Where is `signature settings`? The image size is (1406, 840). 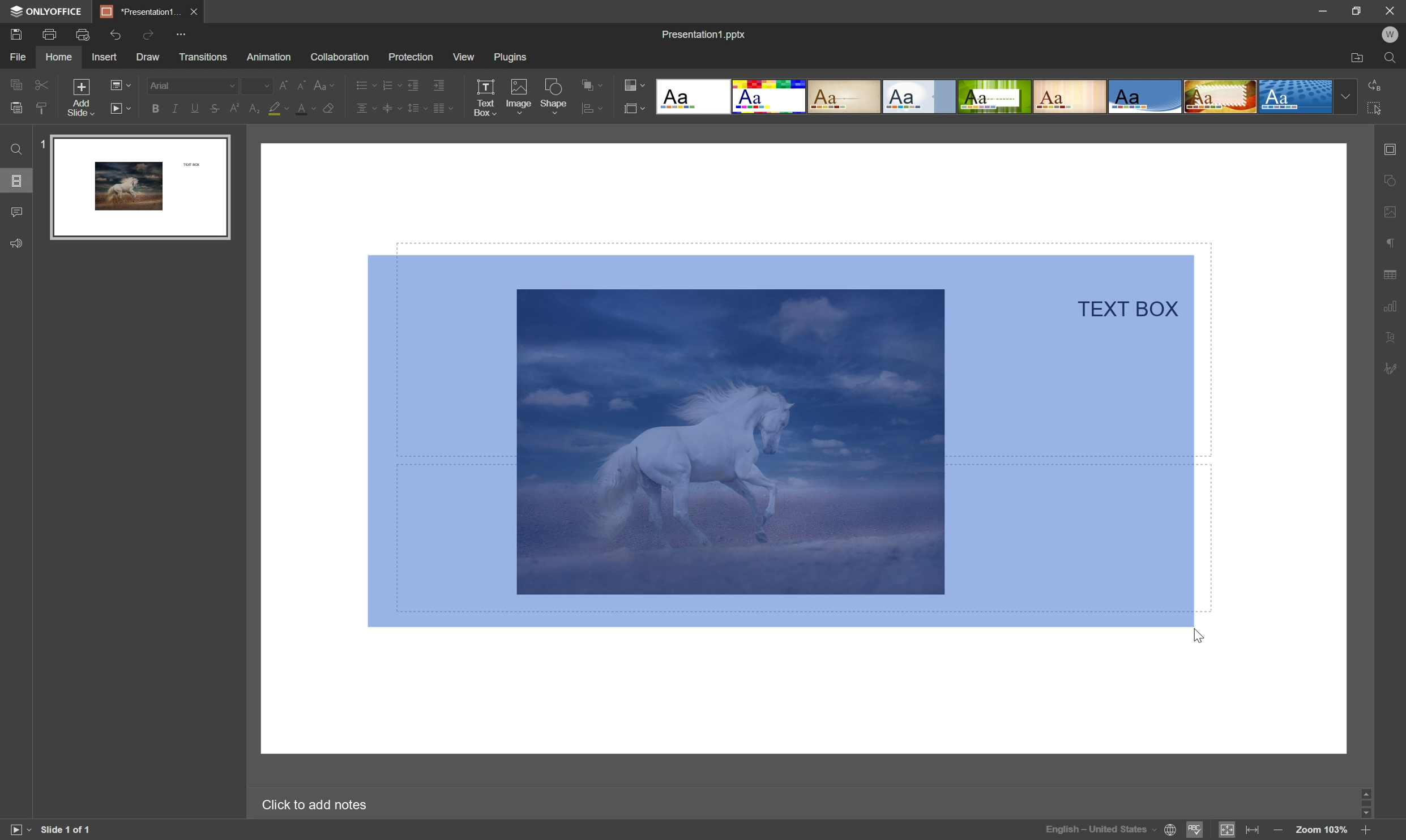 signature settings is located at coordinates (1390, 371).